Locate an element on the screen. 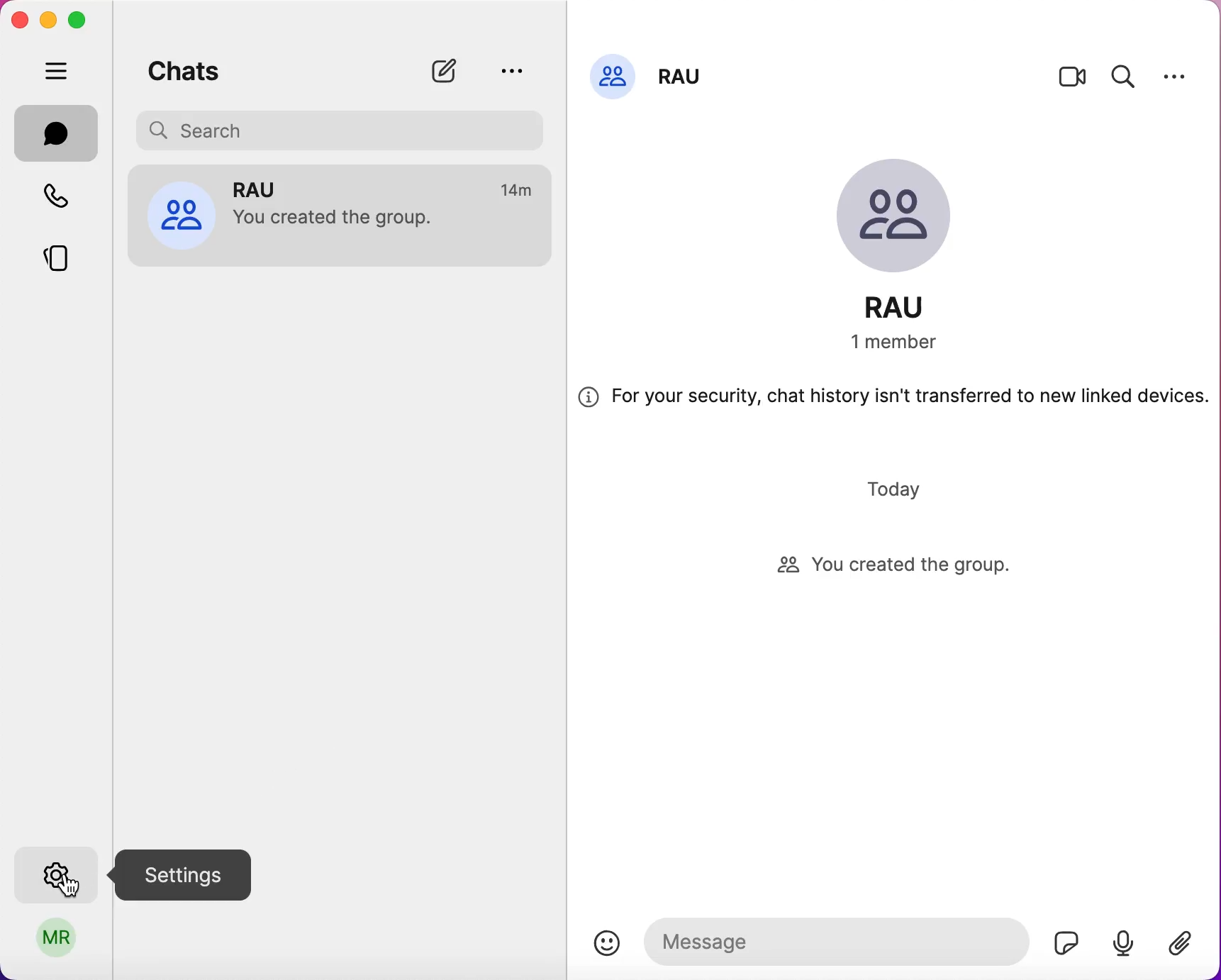 Image resolution: width=1221 pixels, height=980 pixels. user is located at coordinates (62, 942).